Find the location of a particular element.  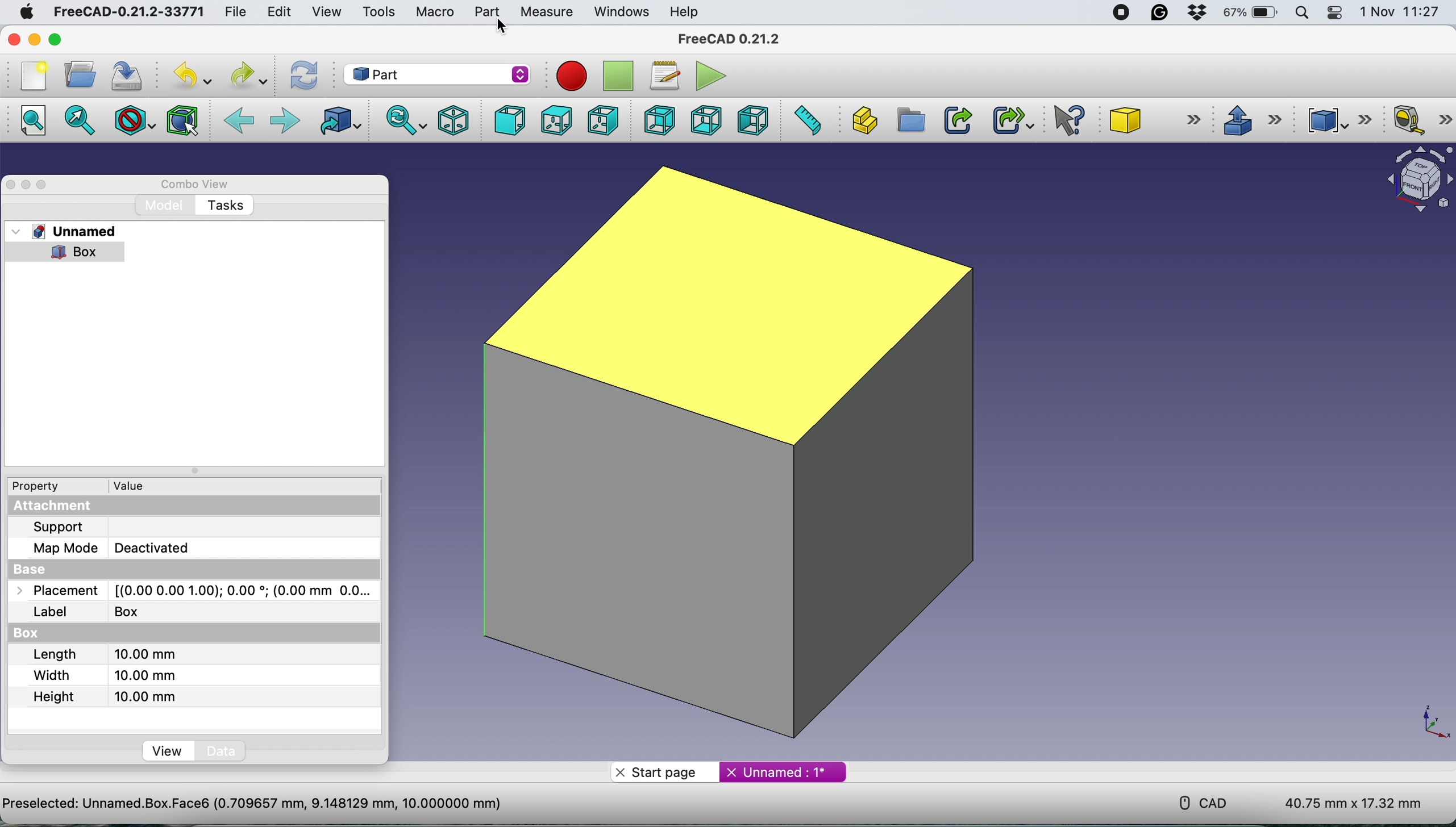

measure distance is located at coordinates (808, 120).